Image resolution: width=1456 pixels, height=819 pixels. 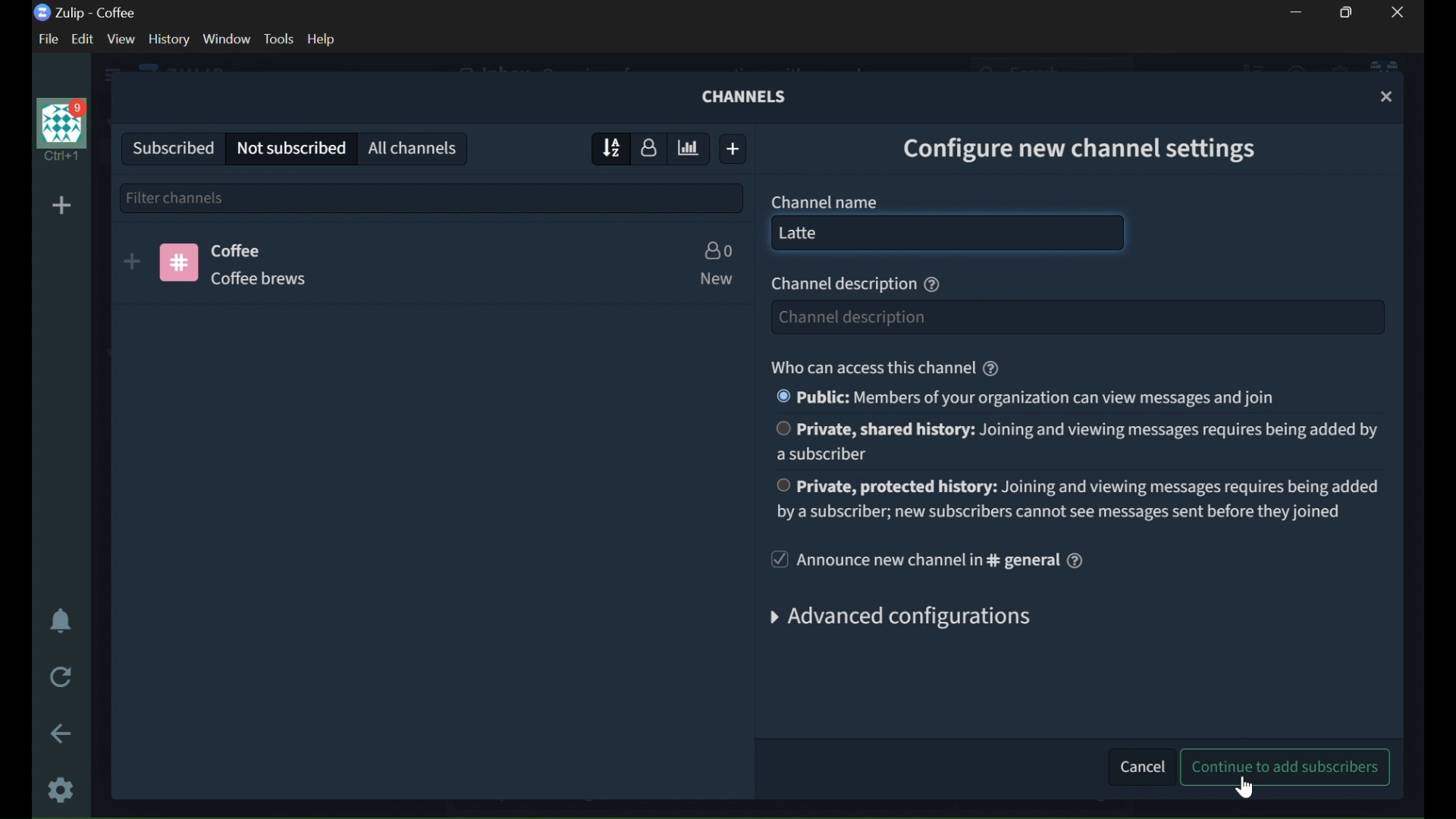 What do you see at coordinates (1350, 12) in the screenshot?
I see `RESTORE DOWN` at bounding box center [1350, 12].